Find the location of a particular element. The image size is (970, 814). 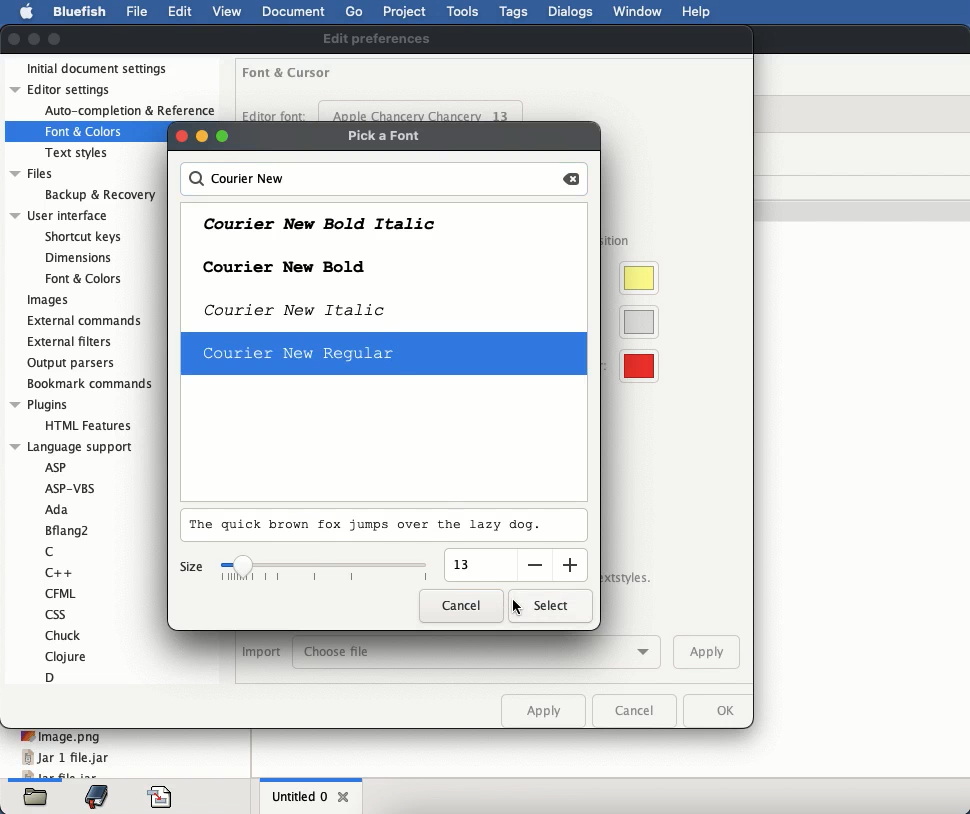

edit preferences  is located at coordinates (375, 41).